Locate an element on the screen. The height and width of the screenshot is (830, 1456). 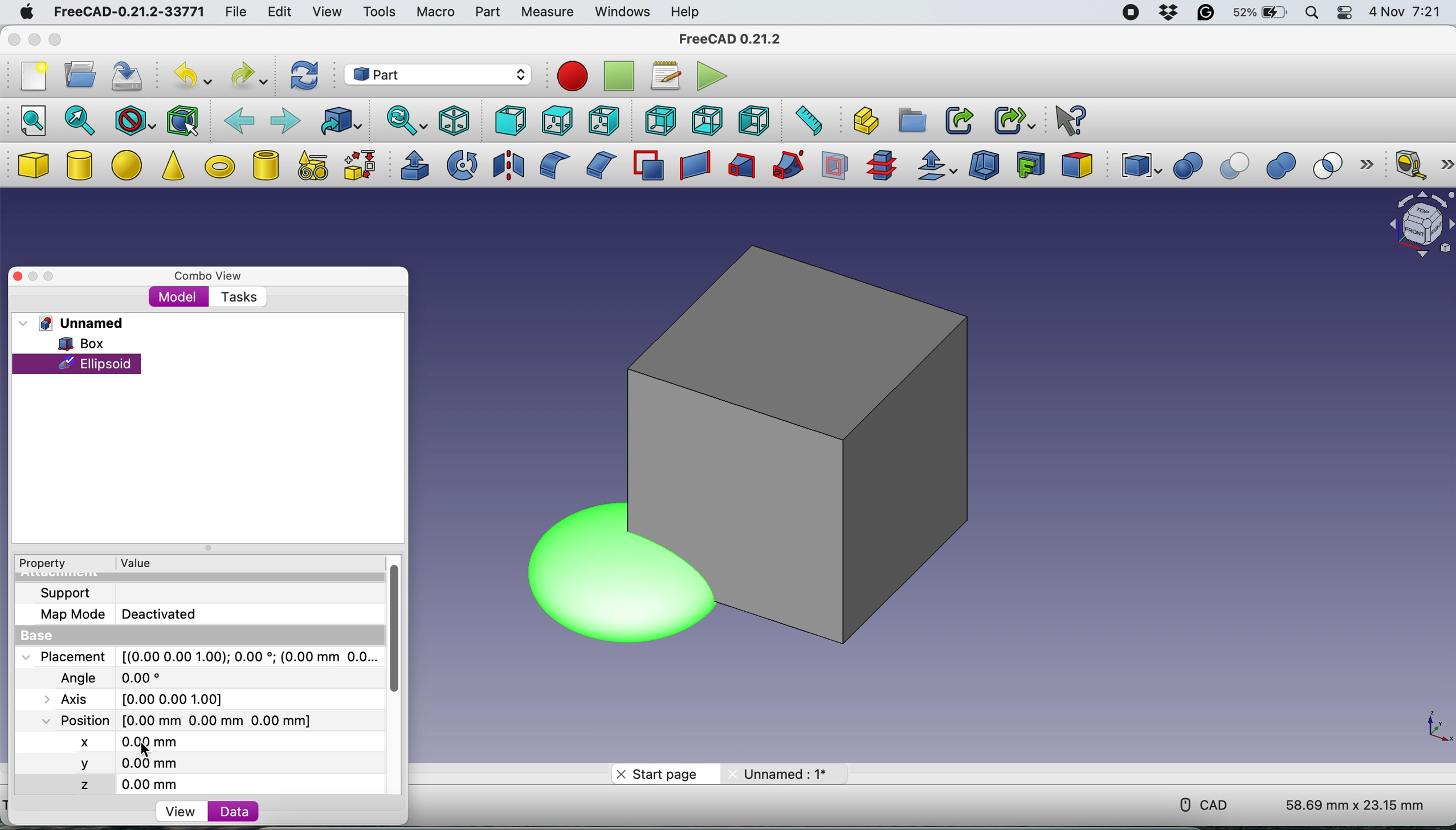
loft is located at coordinates (740, 168).